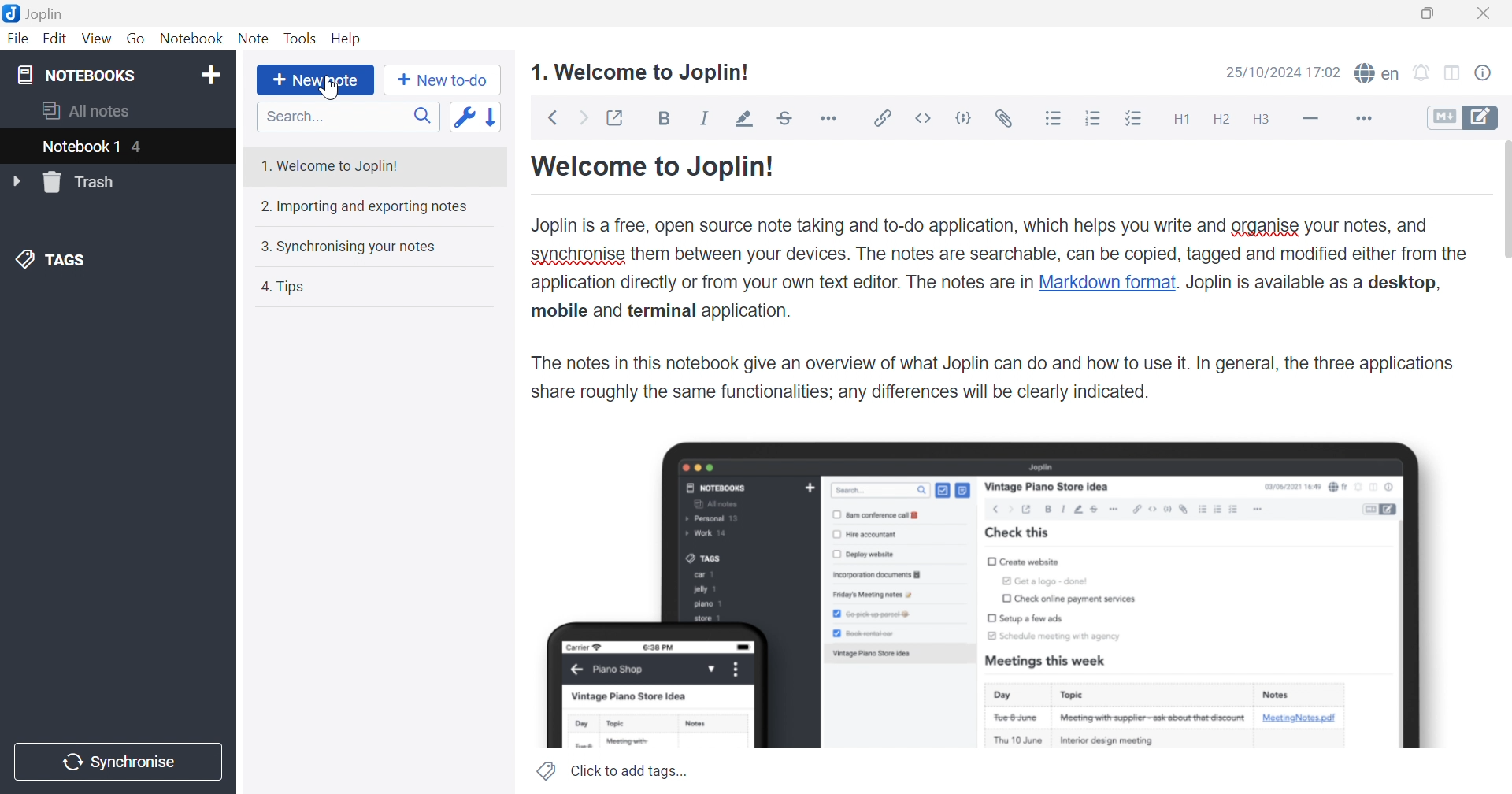 The height and width of the screenshot is (794, 1512). Describe the element at coordinates (302, 39) in the screenshot. I see `Tools` at that location.